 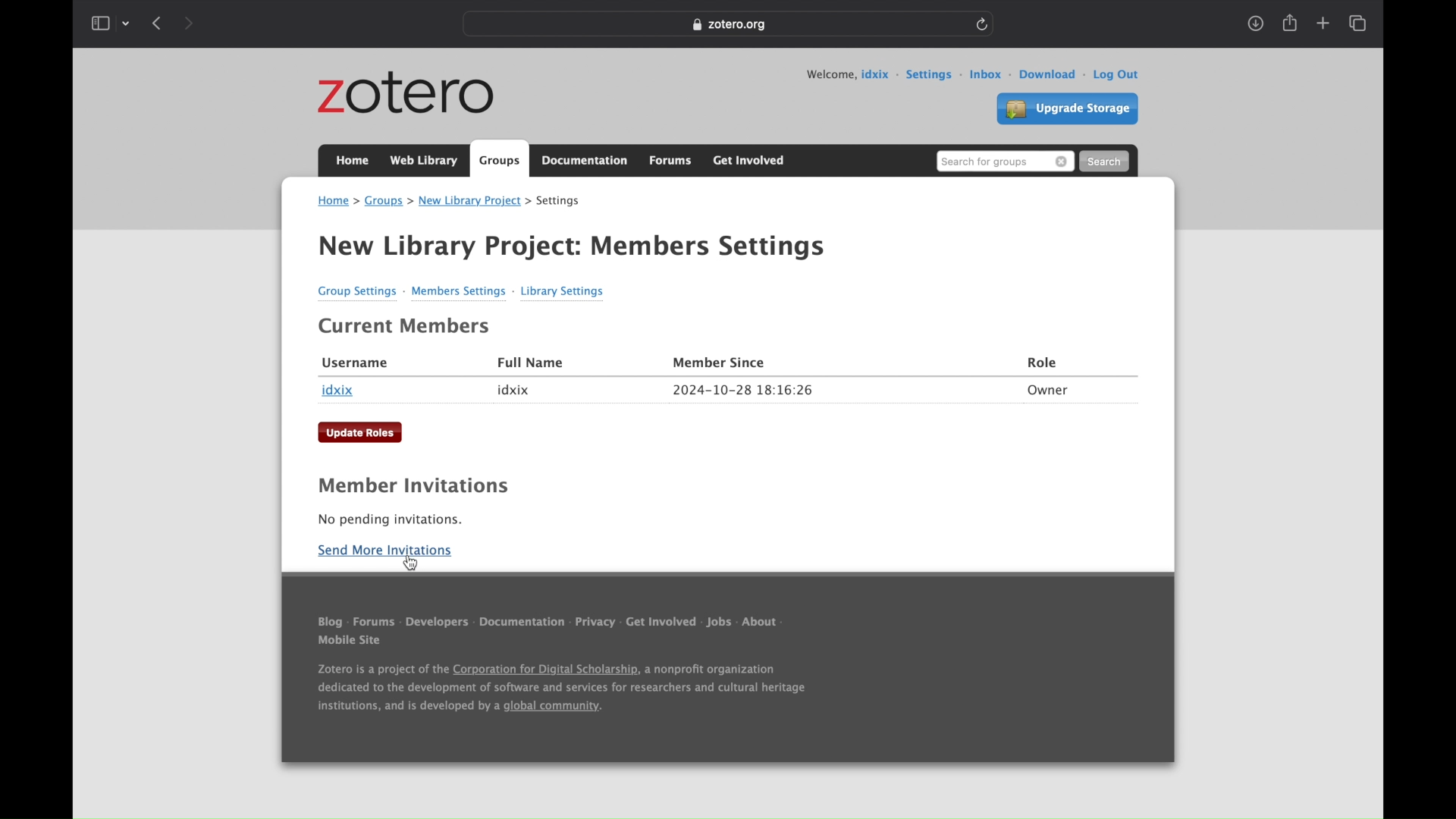 I want to click on documentation, so click(x=522, y=622).